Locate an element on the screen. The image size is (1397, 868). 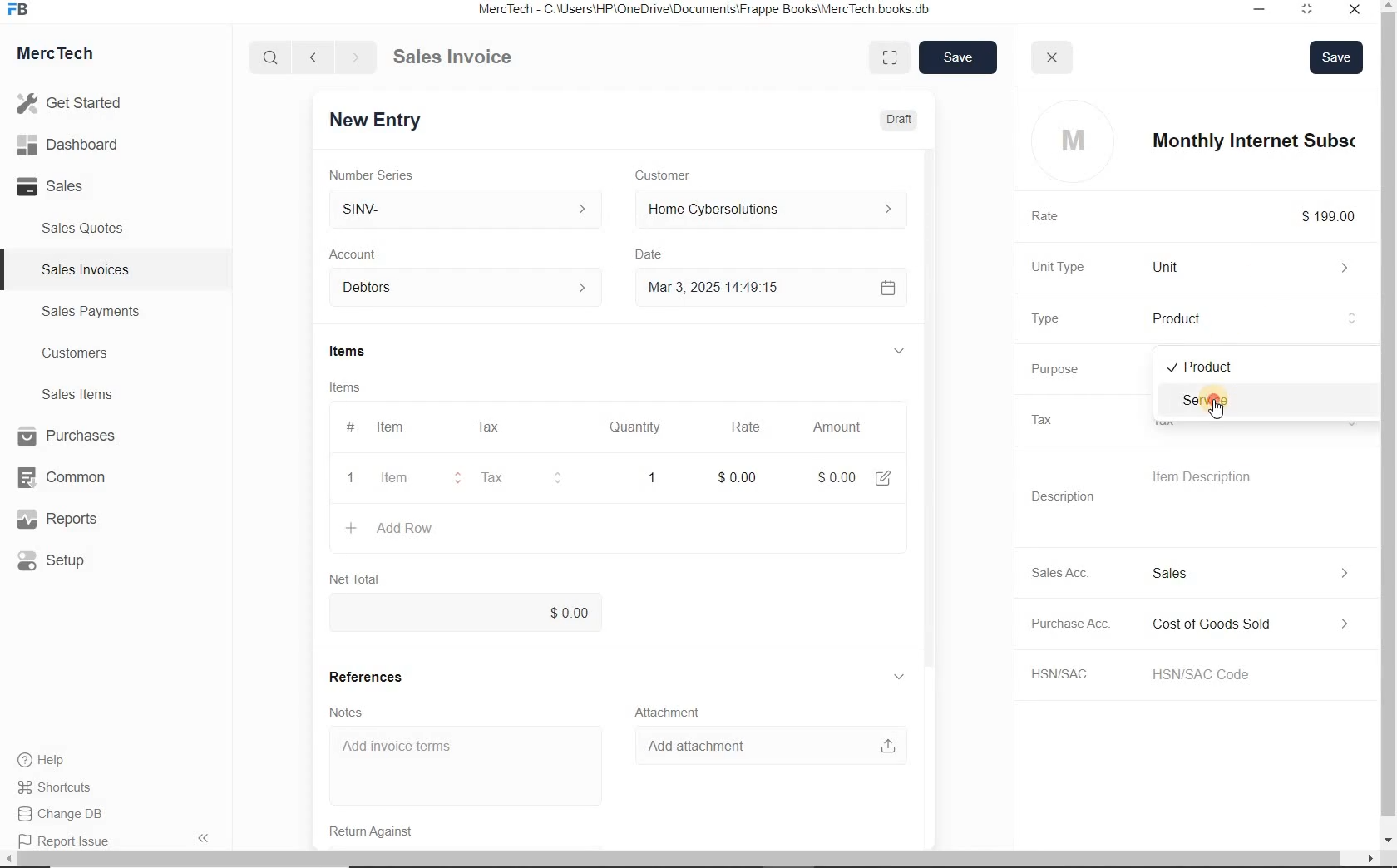
Items is located at coordinates (363, 387).